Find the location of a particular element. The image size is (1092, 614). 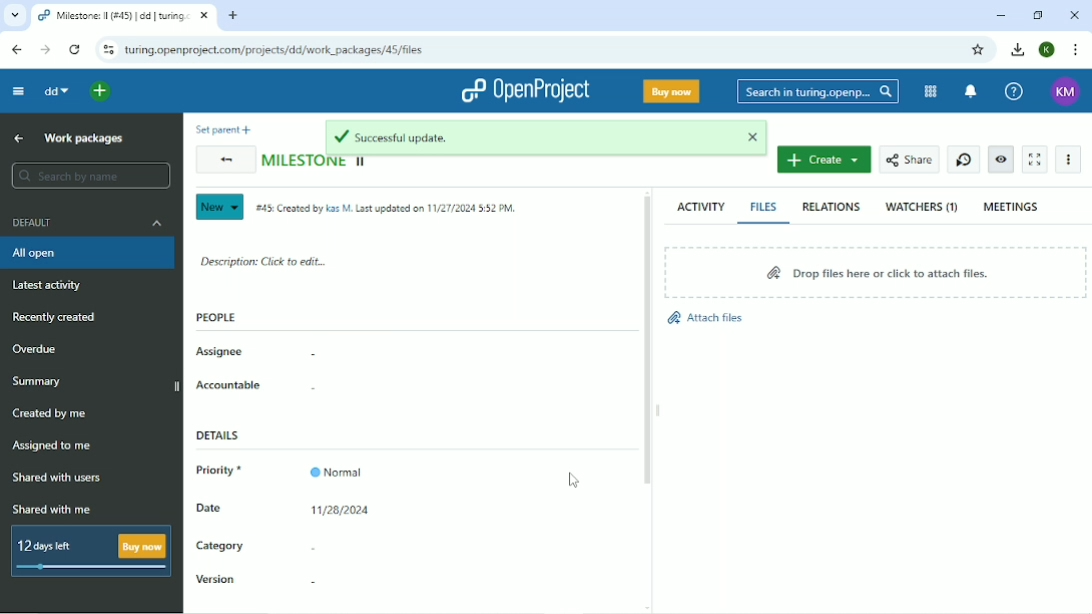

Create is located at coordinates (824, 159).